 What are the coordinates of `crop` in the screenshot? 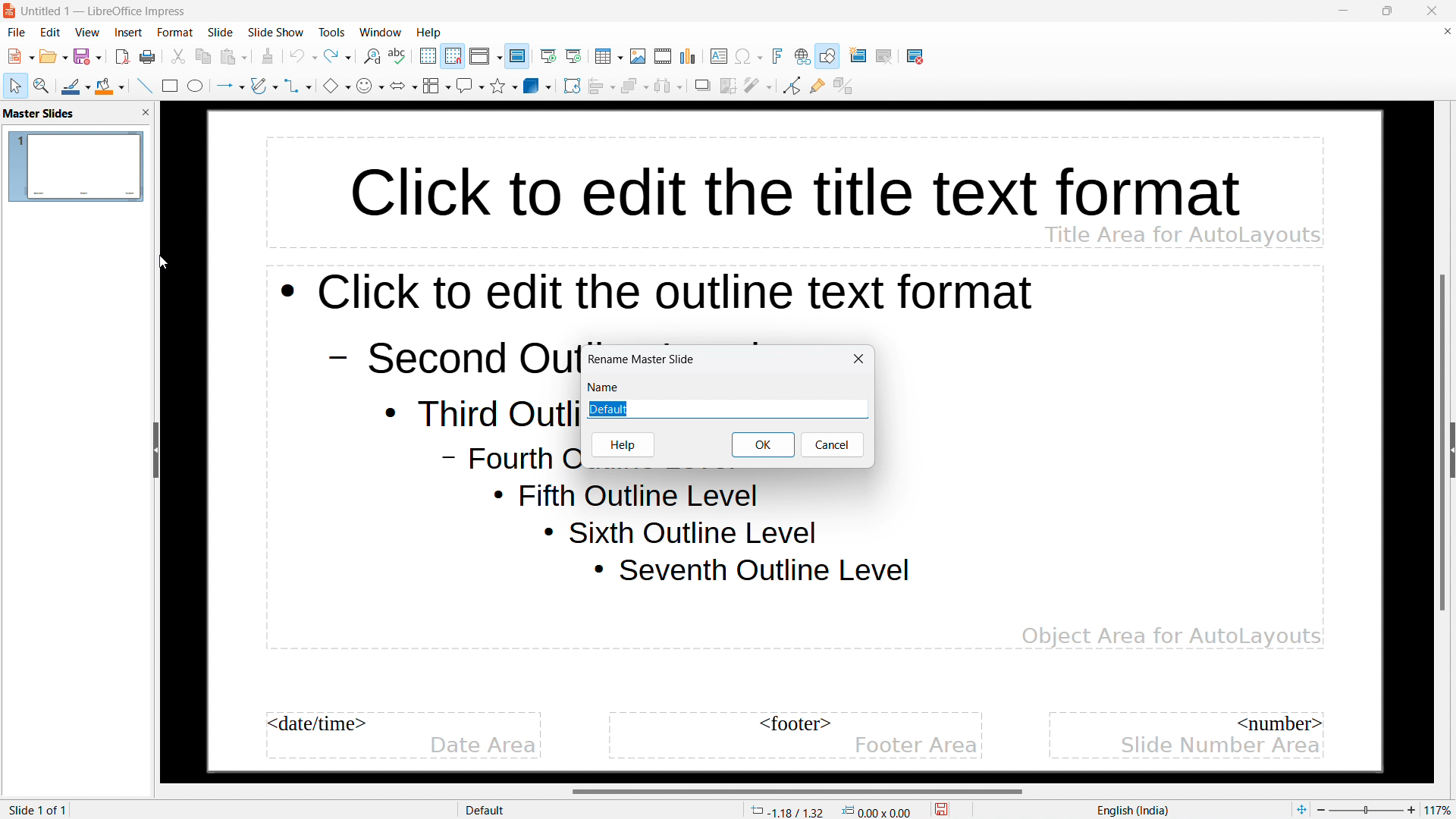 It's located at (729, 86).